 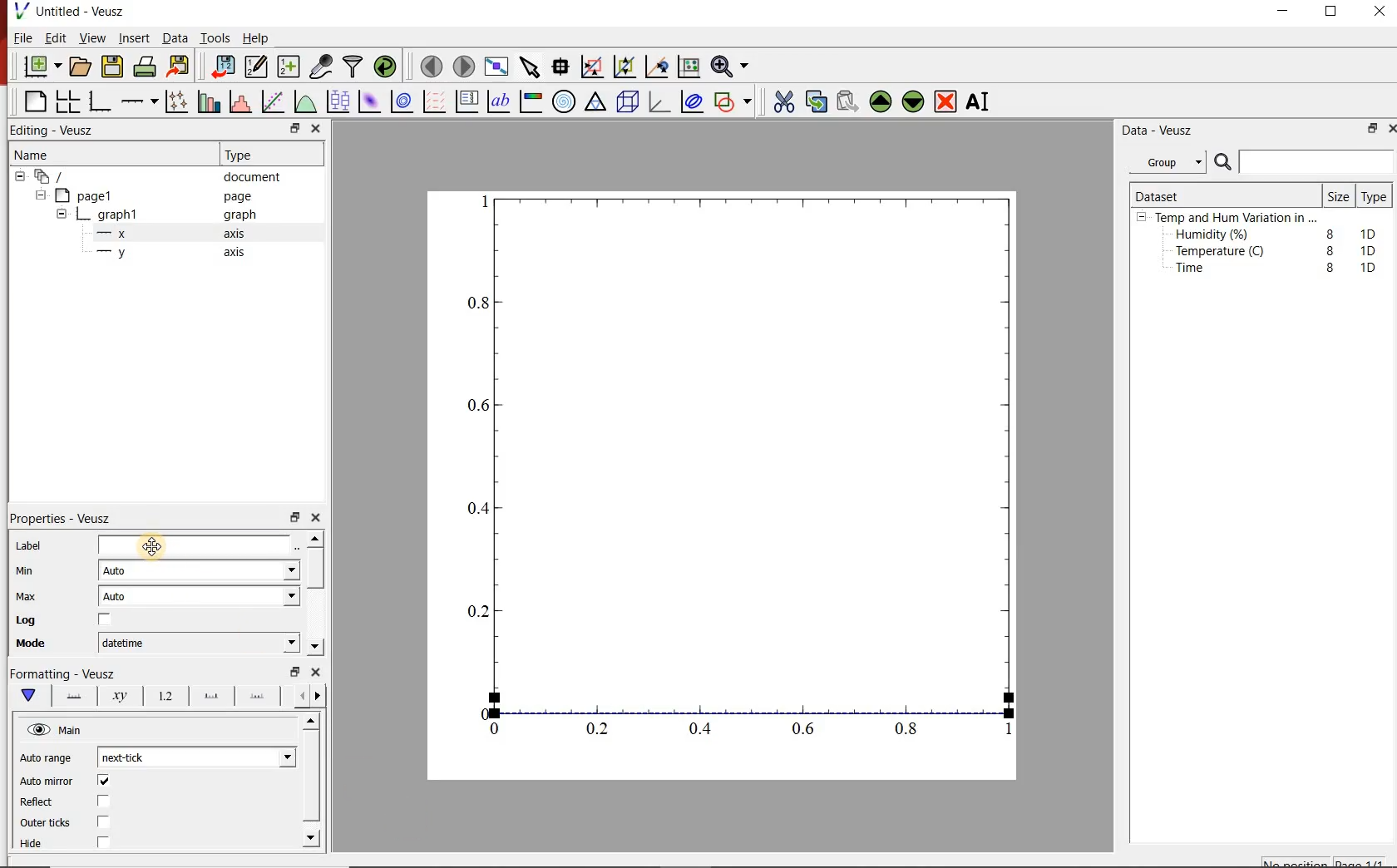 I want to click on Graph, so click(x=758, y=451).